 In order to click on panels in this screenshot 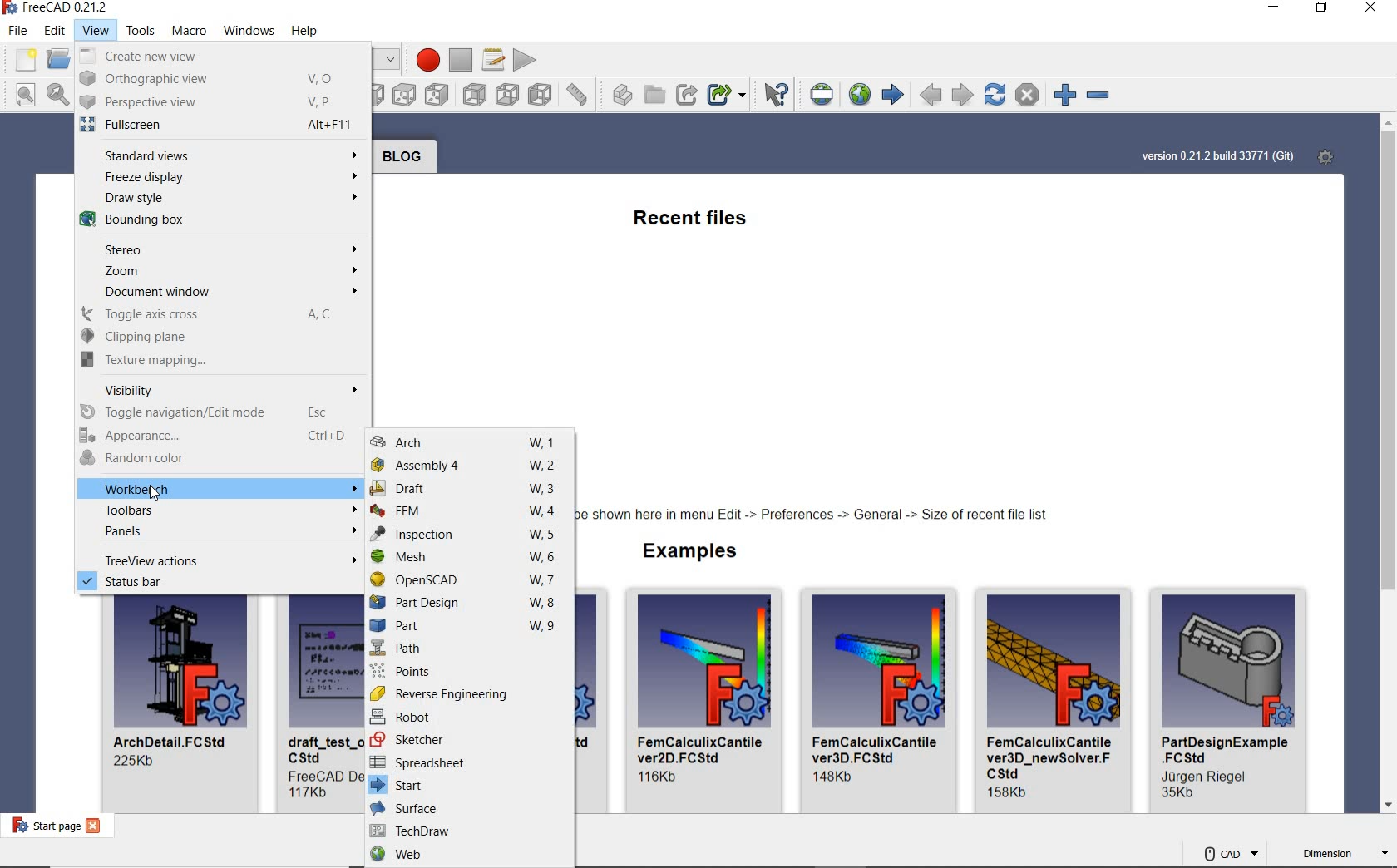, I will do `click(219, 534)`.